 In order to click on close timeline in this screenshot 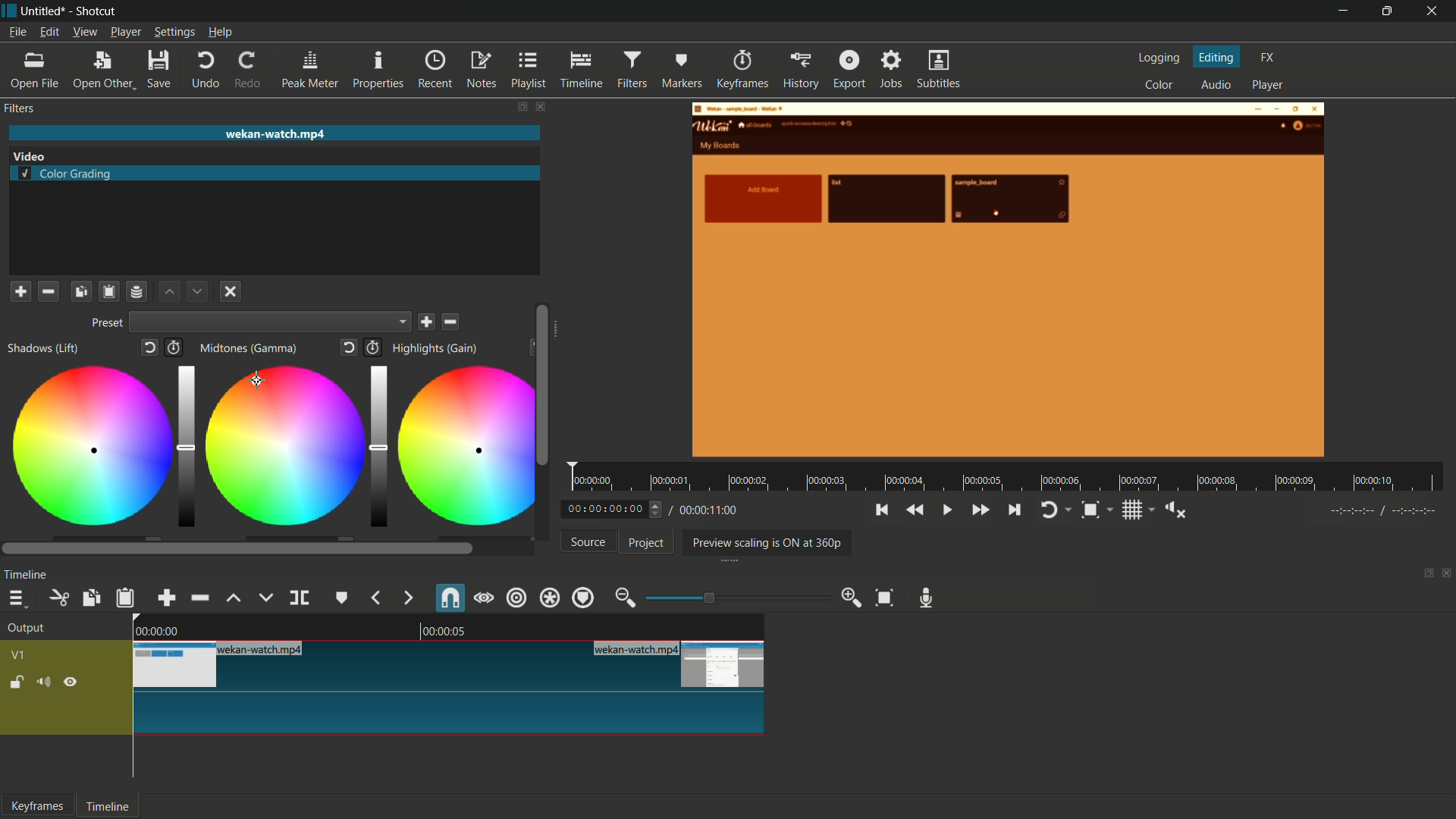, I will do `click(1447, 575)`.